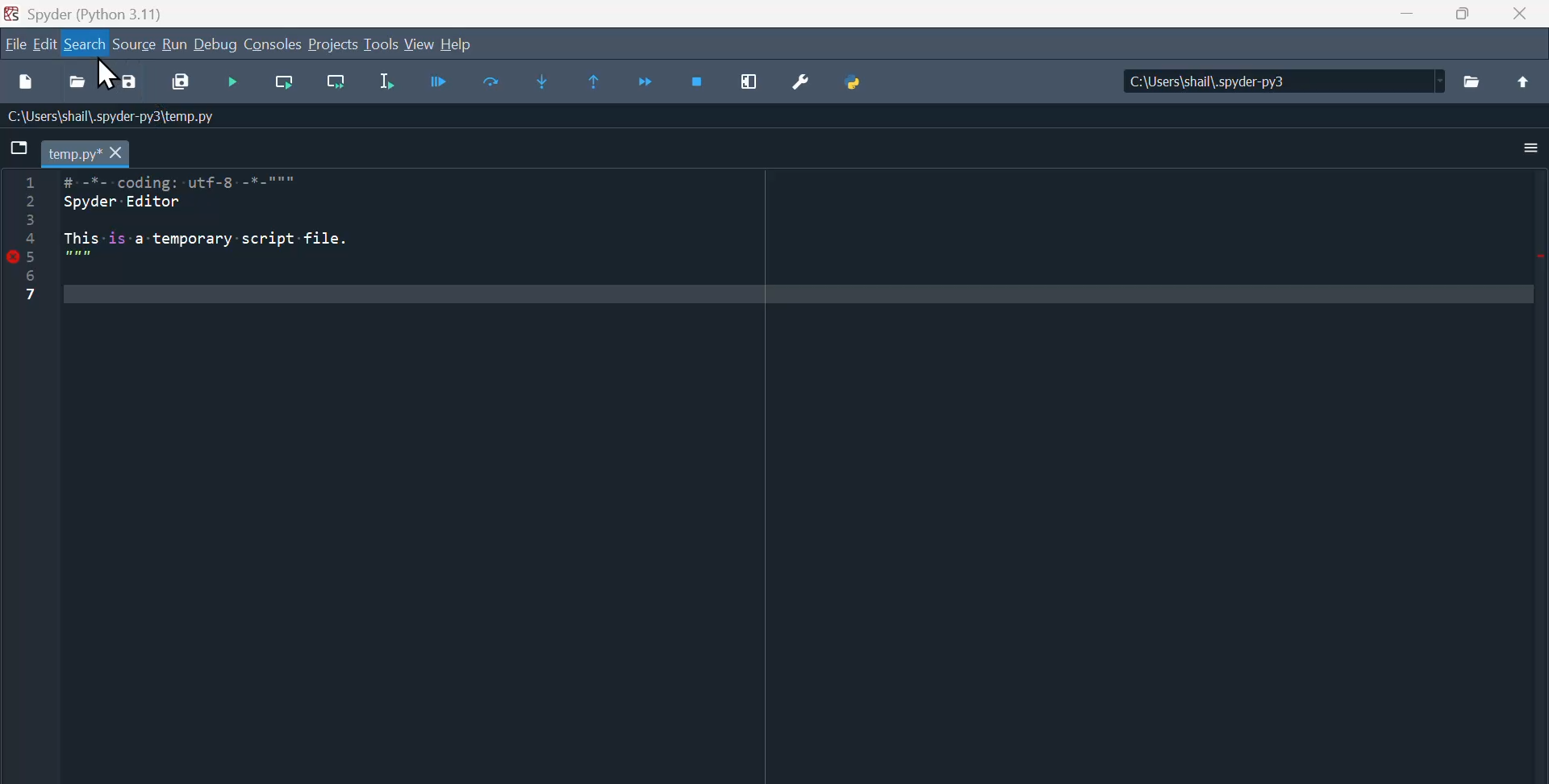  What do you see at coordinates (1470, 15) in the screenshot?
I see `Restore` at bounding box center [1470, 15].